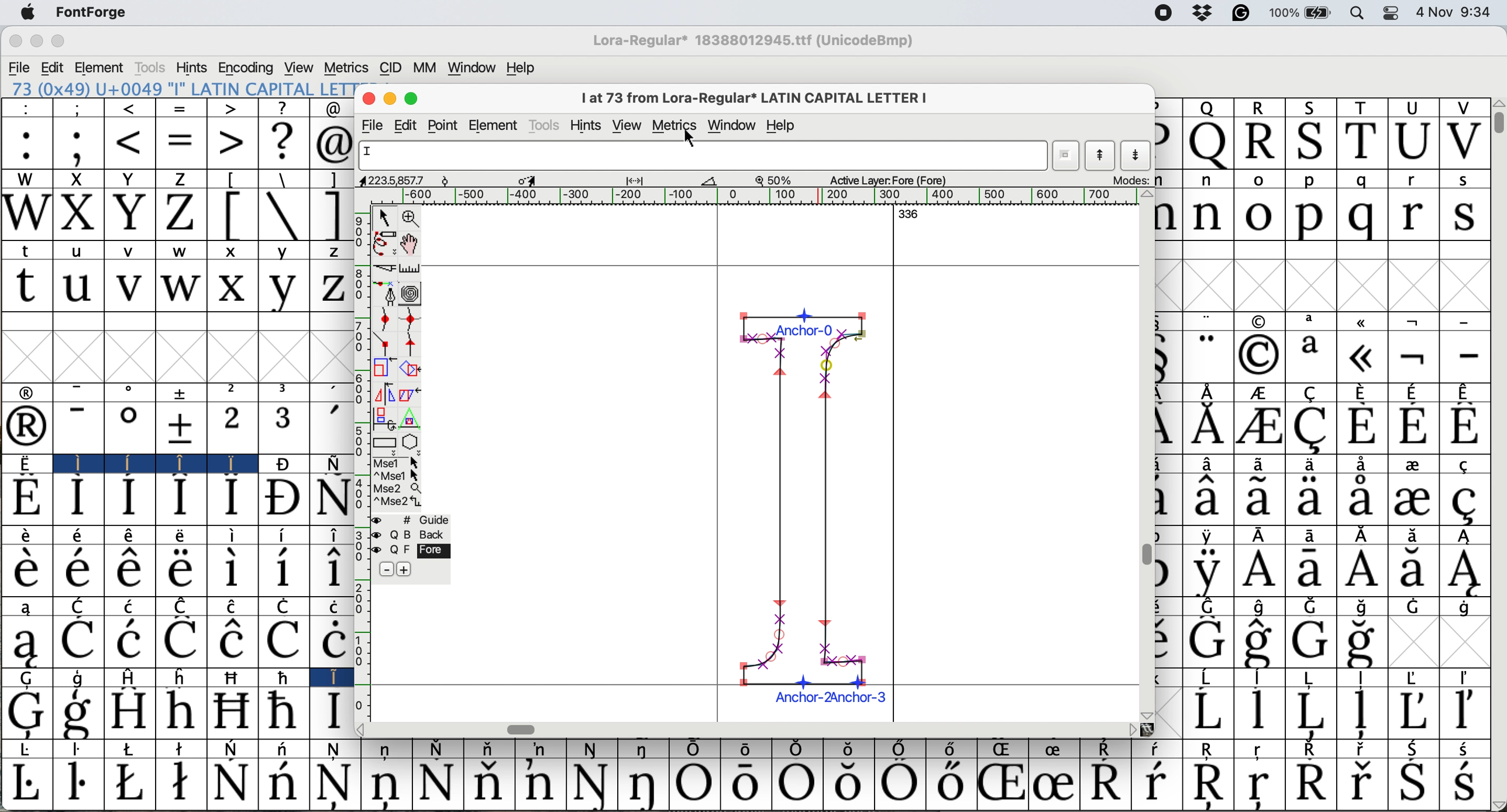  What do you see at coordinates (129, 287) in the screenshot?
I see `v` at bounding box center [129, 287].